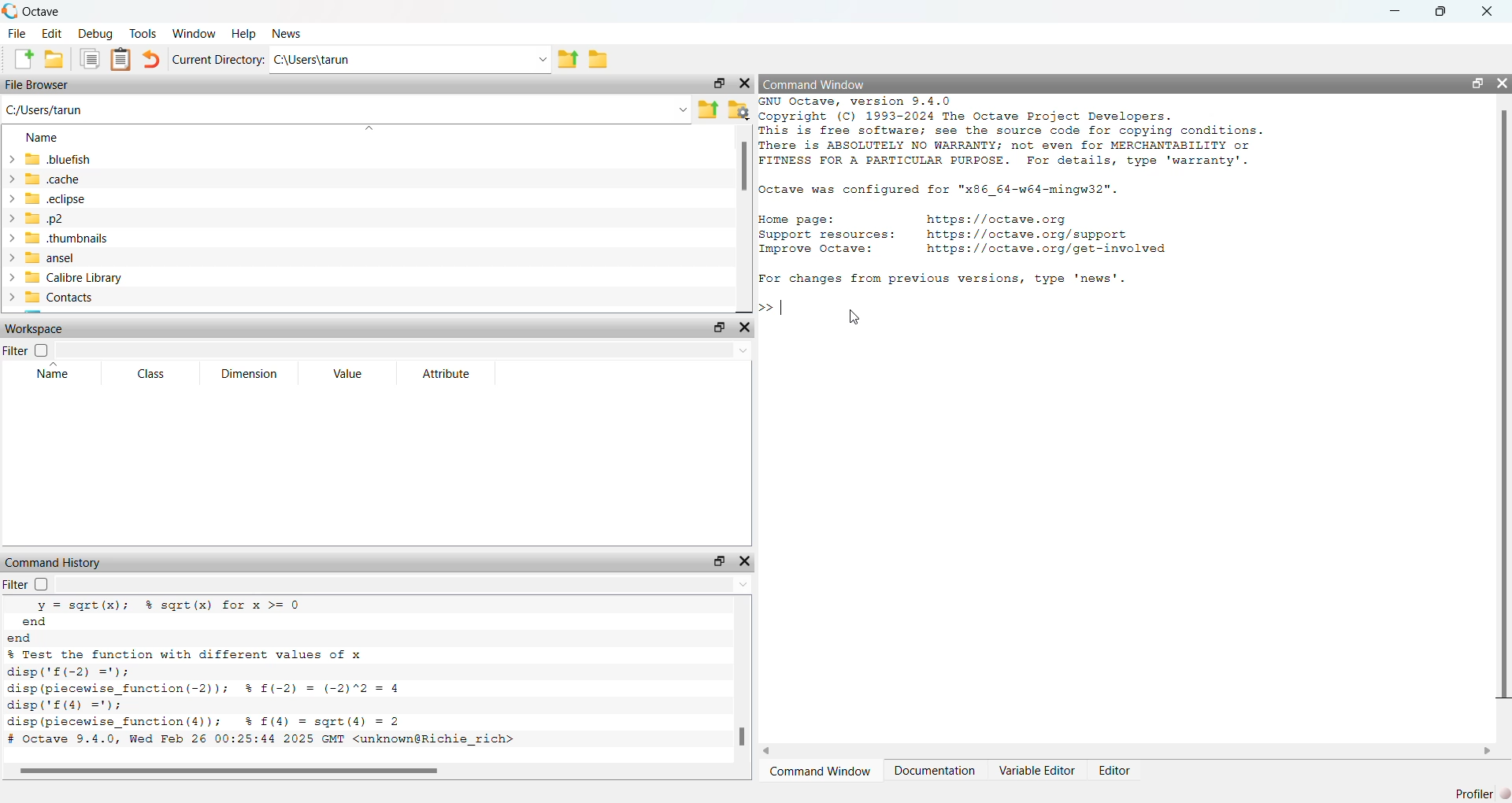  What do you see at coordinates (715, 83) in the screenshot?
I see `Miniimize/restore` at bounding box center [715, 83].